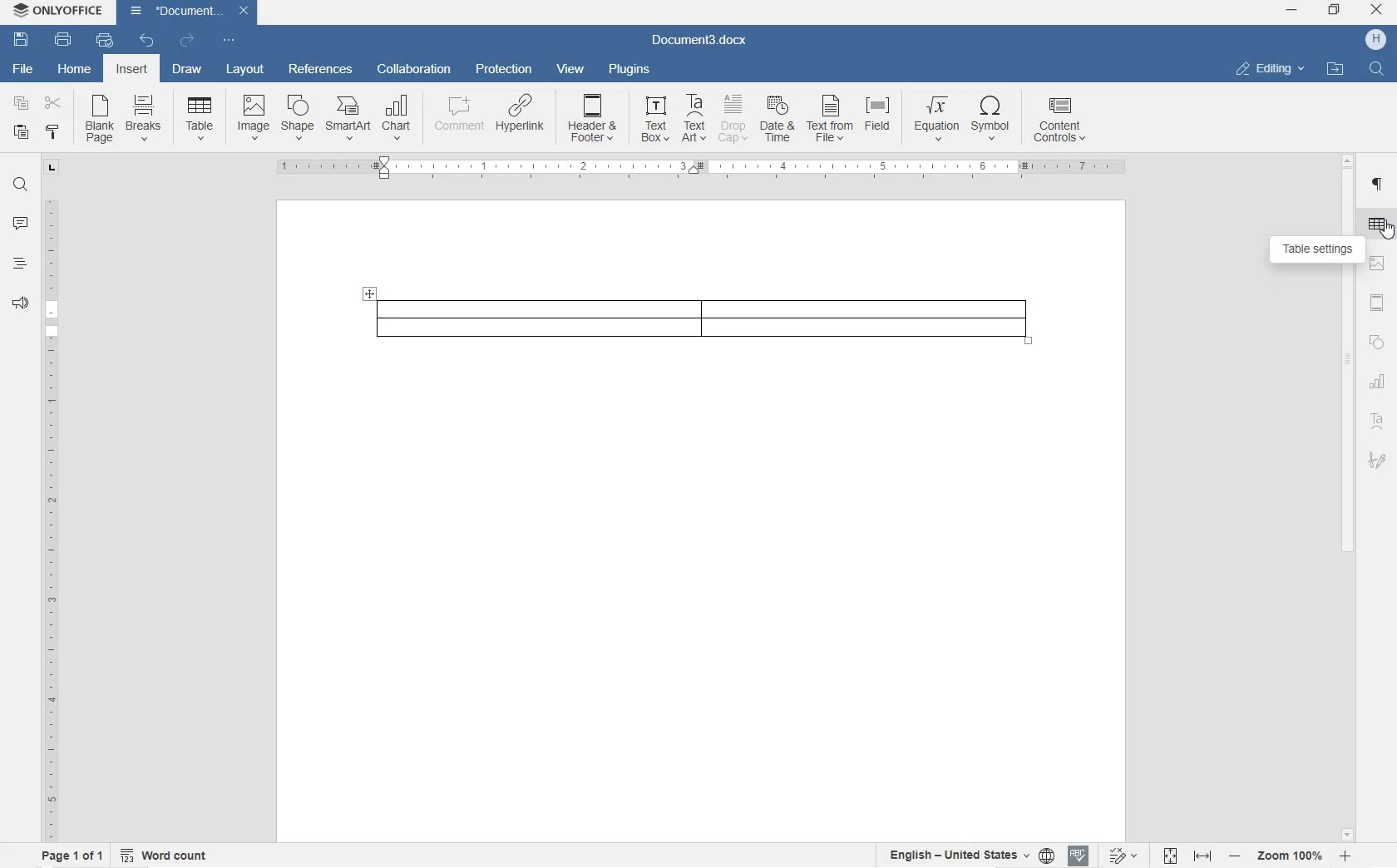 Image resolution: width=1397 pixels, height=868 pixels. What do you see at coordinates (103, 42) in the screenshot?
I see `QUICK PRINT` at bounding box center [103, 42].